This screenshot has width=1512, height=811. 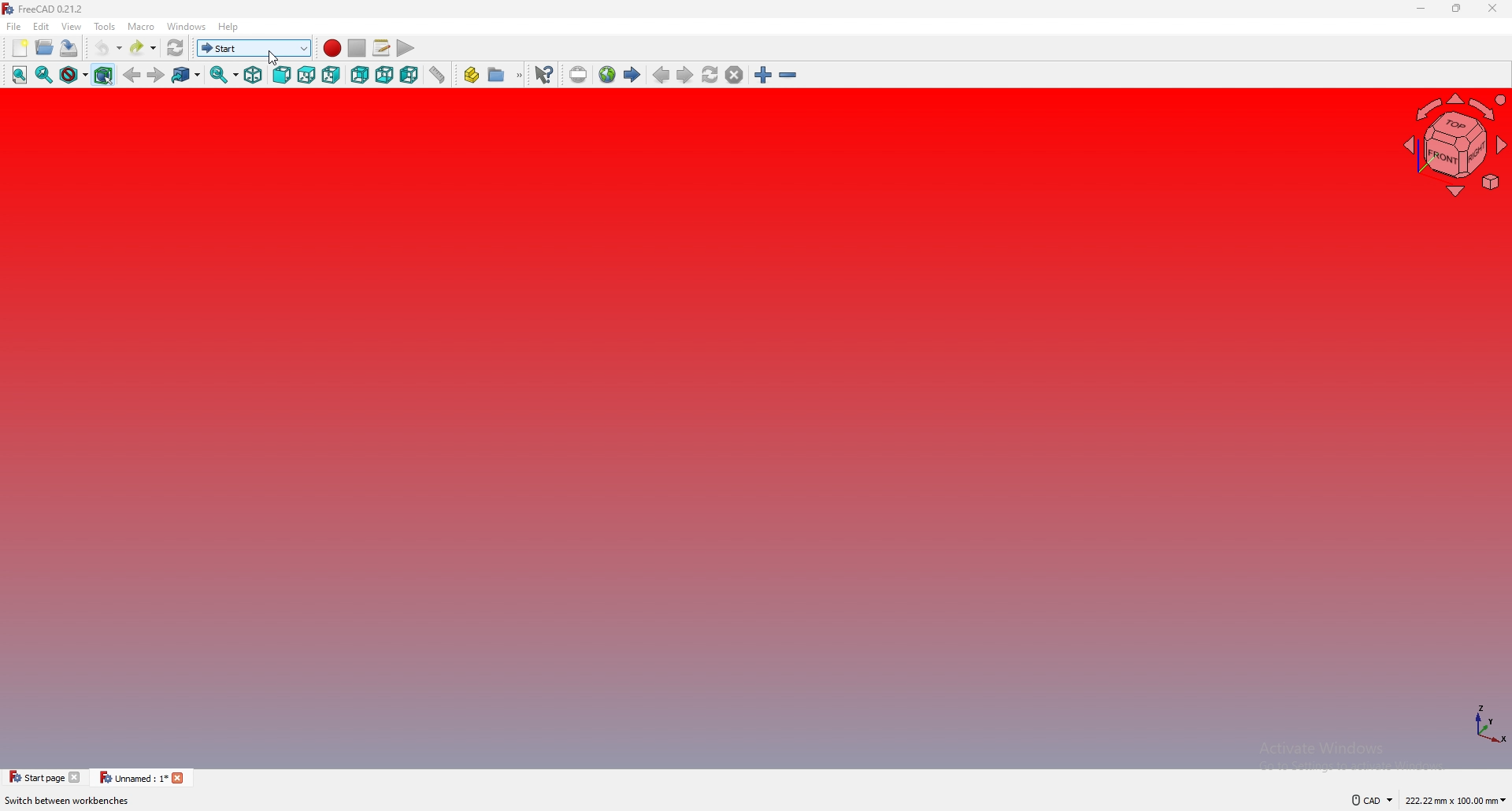 I want to click on view, so click(x=72, y=26).